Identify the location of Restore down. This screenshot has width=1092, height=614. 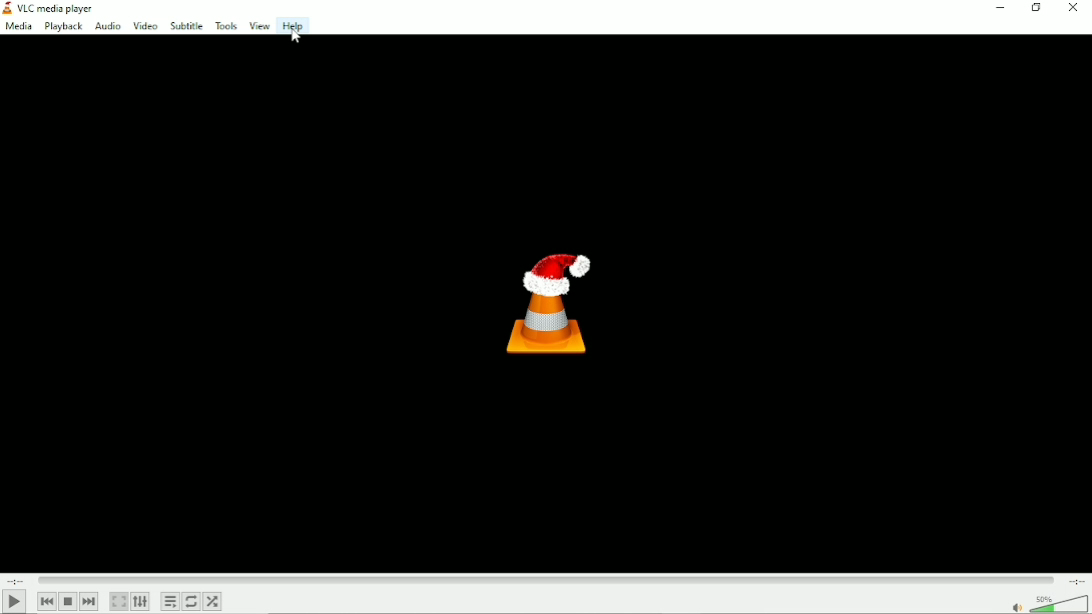
(1035, 10).